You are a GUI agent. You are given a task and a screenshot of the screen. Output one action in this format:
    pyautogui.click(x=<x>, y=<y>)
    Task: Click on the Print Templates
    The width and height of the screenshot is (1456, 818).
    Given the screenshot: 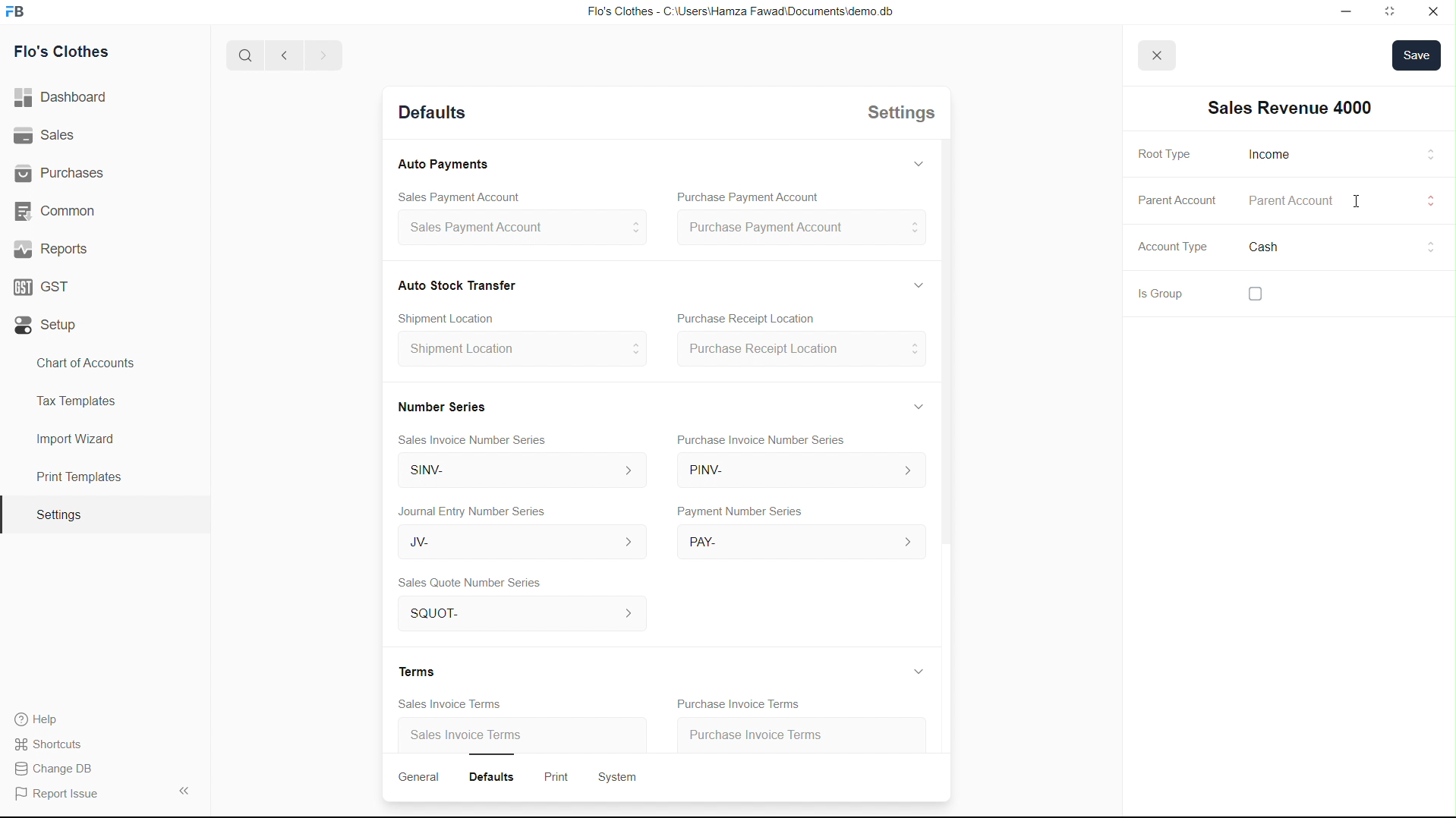 What is the action you would take?
    pyautogui.click(x=77, y=477)
    